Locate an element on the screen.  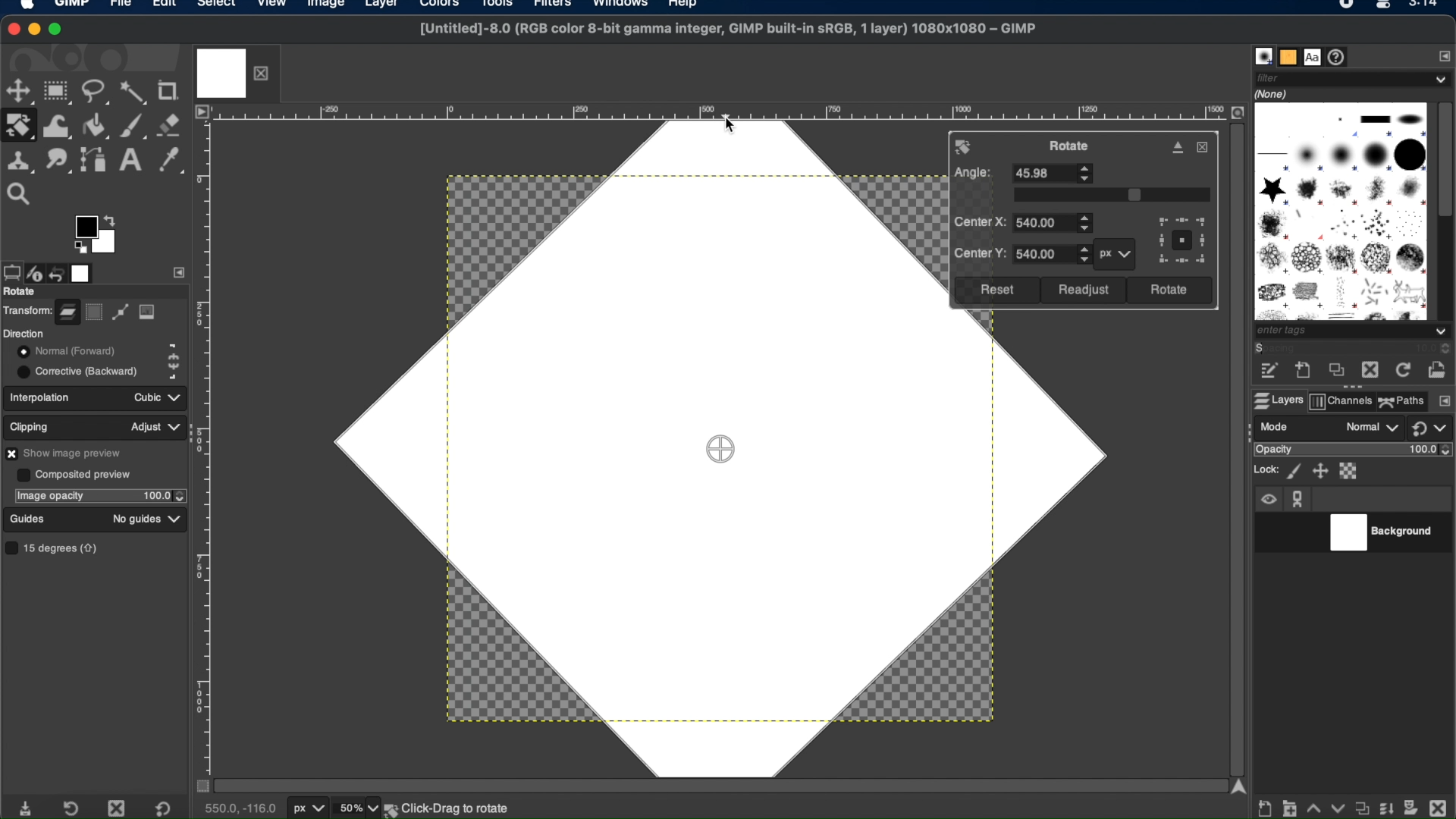
help is located at coordinates (684, 6).